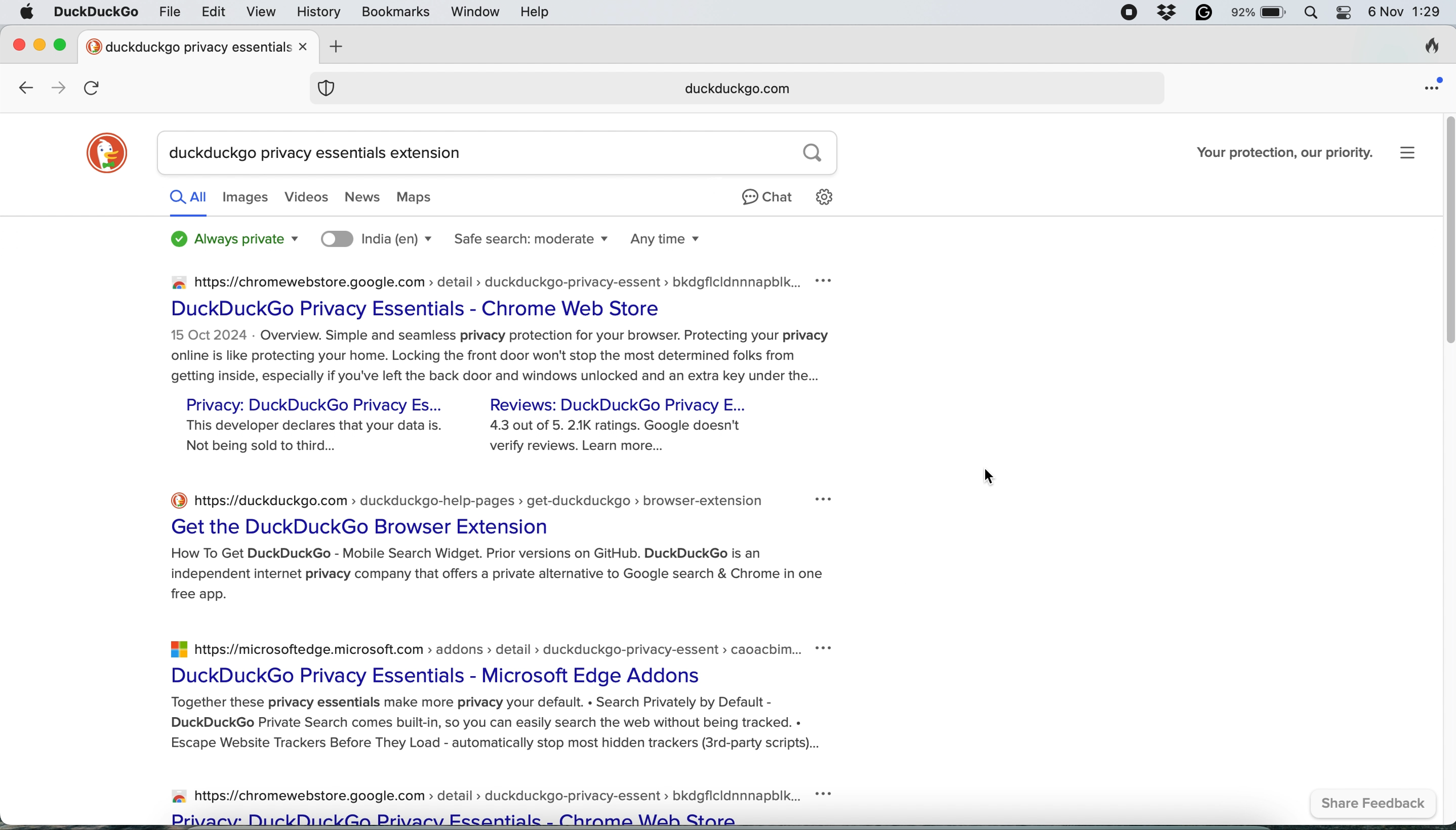  What do you see at coordinates (468, 151) in the screenshot?
I see `search bar` at bounding box center [468, 151].